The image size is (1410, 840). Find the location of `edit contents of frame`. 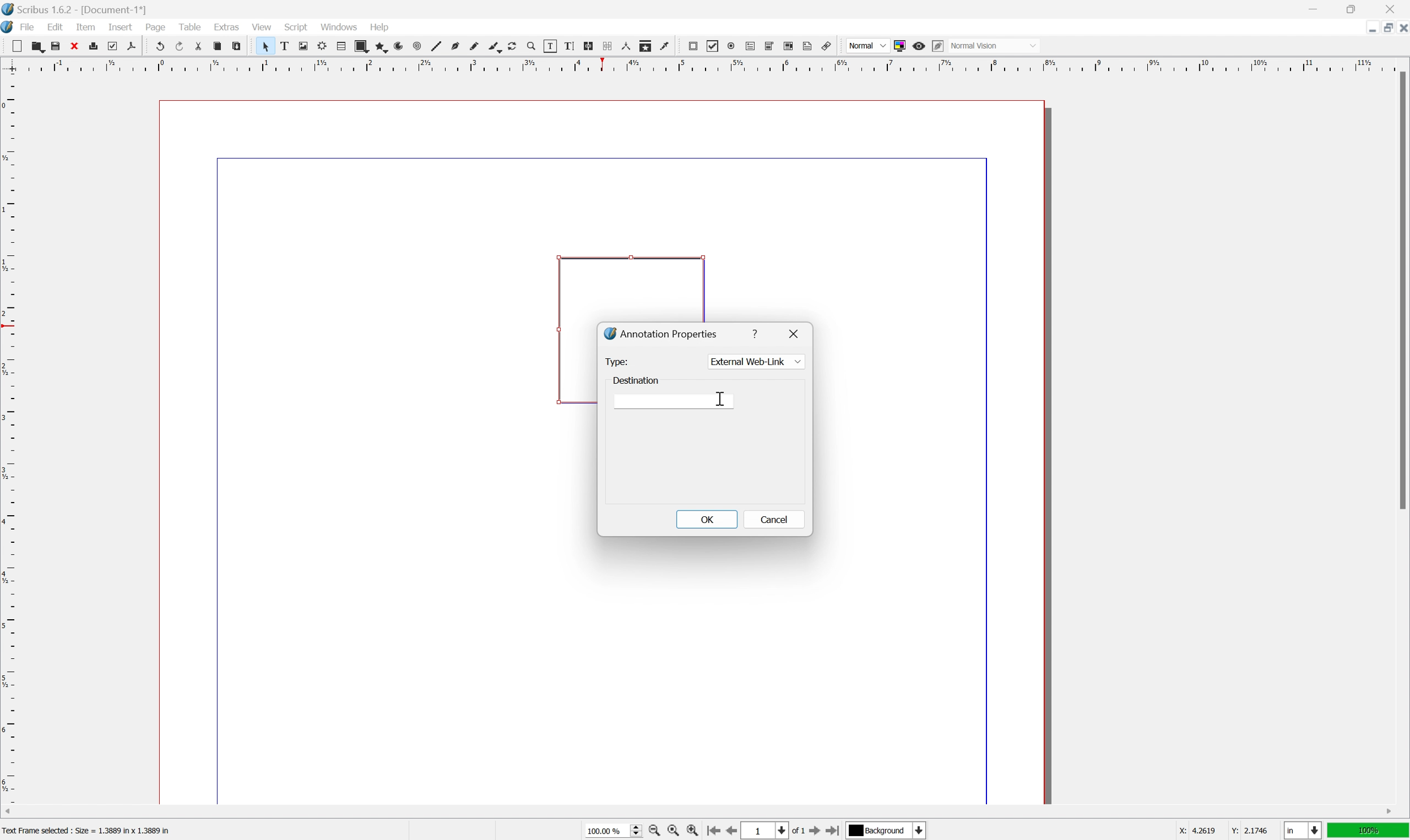

edit contents of frame is located at coordinates (550, 46).